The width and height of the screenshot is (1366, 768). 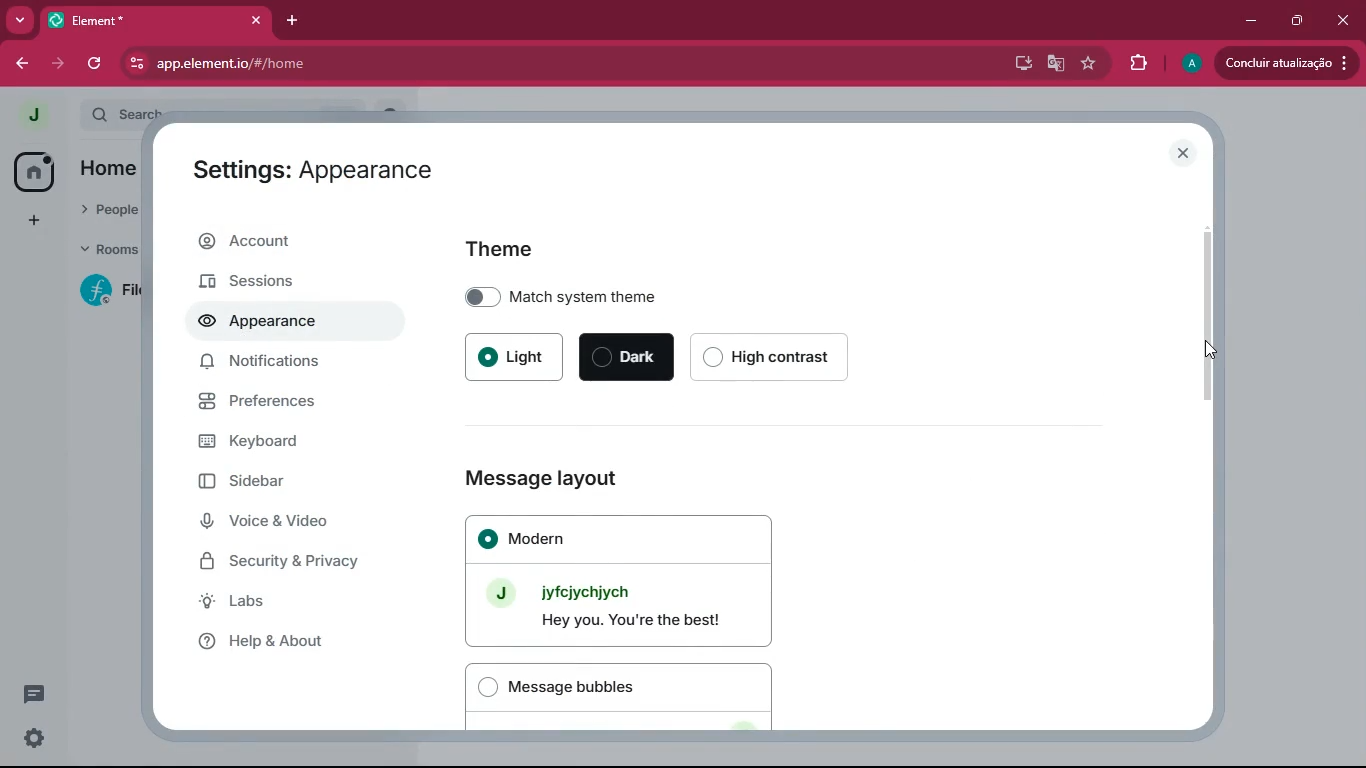 I want to click on Element*, so click(x=140, y=19).